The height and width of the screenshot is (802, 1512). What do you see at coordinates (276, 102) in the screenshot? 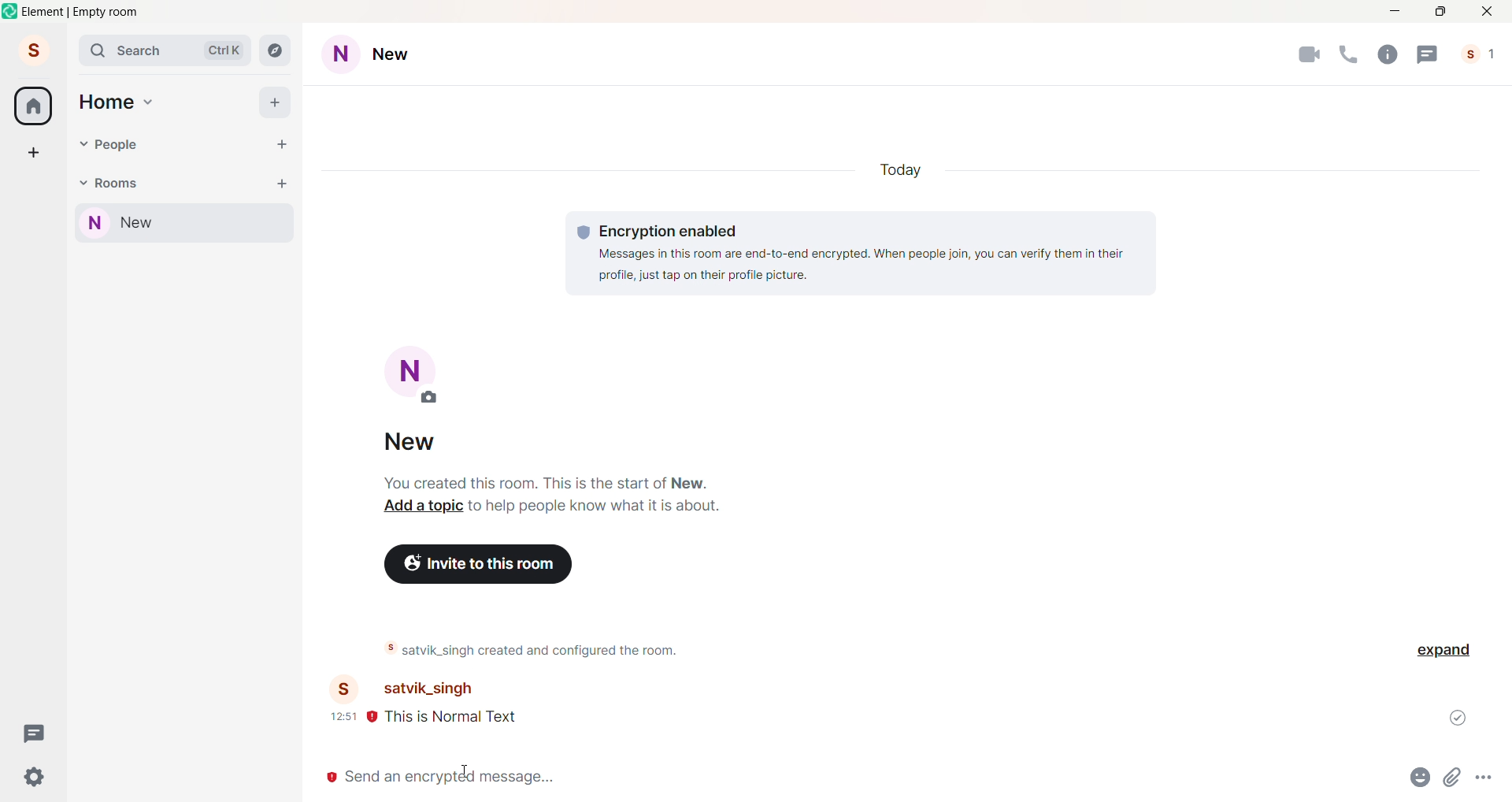
I see `Add` at bounding box center [276, 102].